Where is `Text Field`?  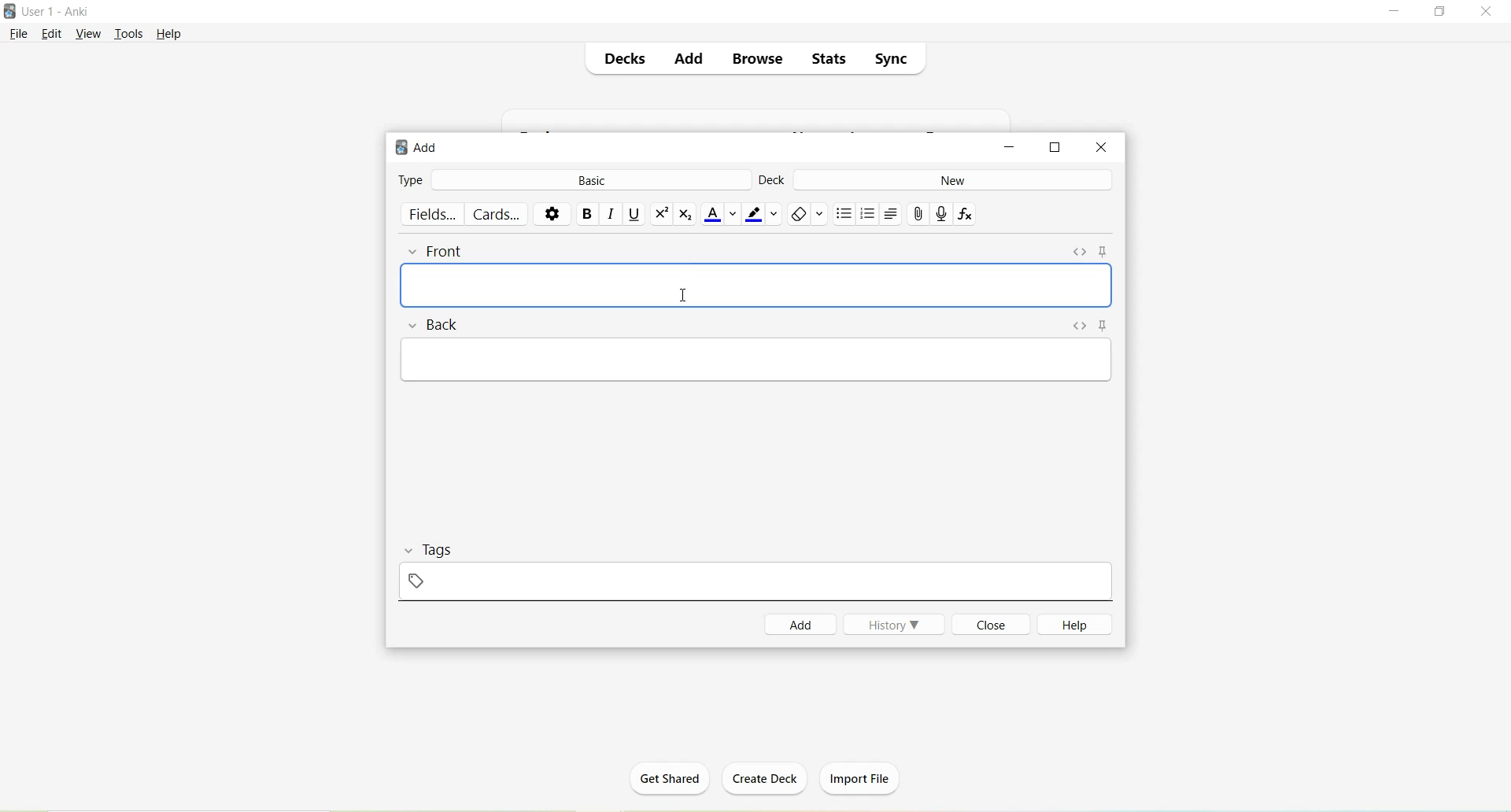
Text Field is located at coordinates (759, 359).